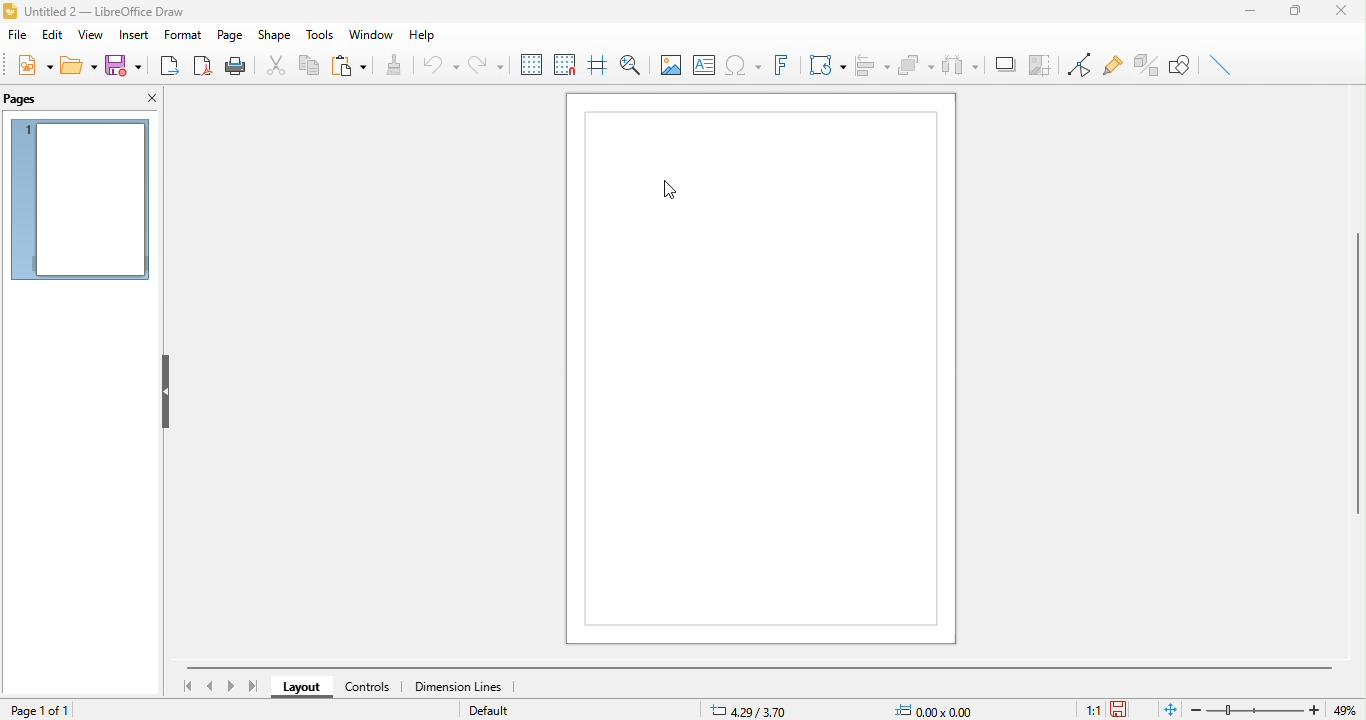 This screenshot has width=1366, height=720. Describe the element at coordinates (10, 12) in the screenshot. I see `Libre Logo` at that location.